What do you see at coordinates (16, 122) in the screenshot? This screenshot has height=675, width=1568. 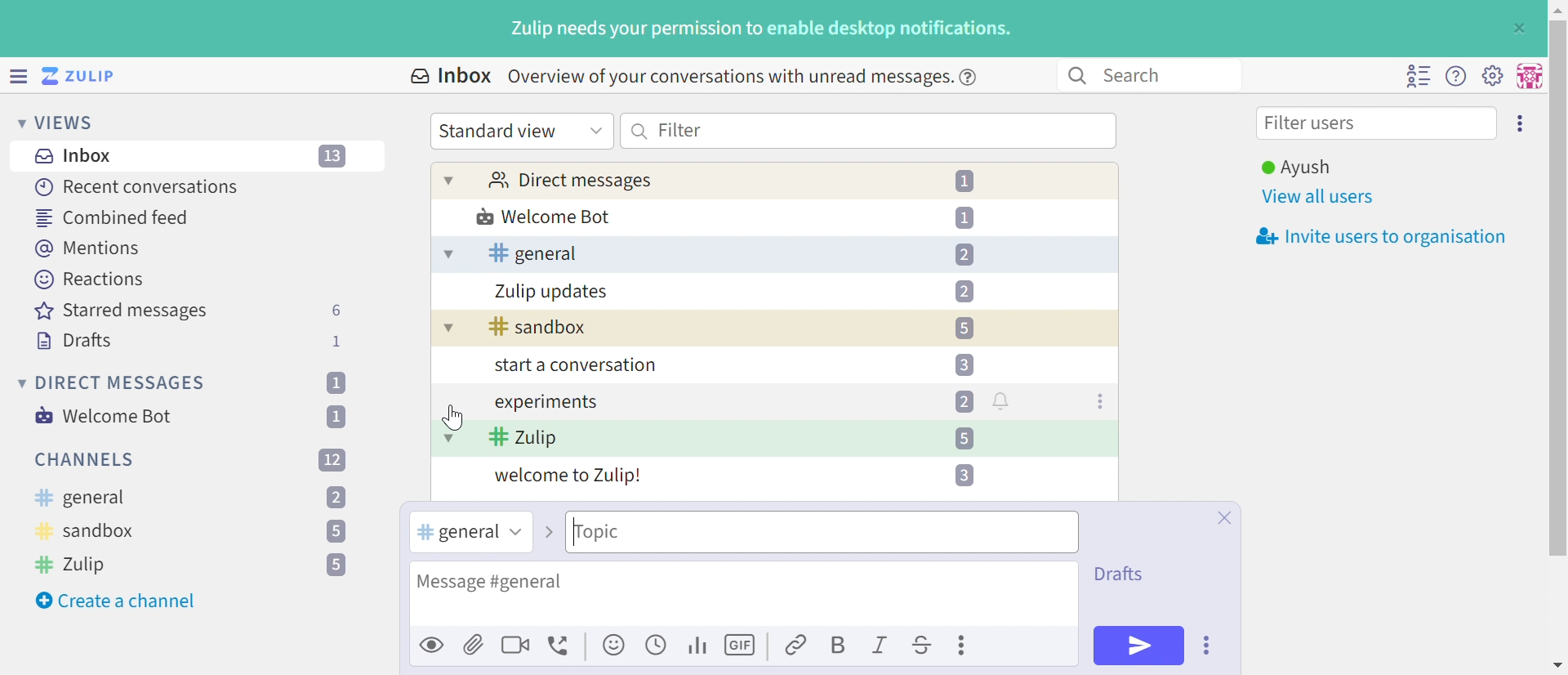 I see `Drop Down` at bounding box center [16, 122].